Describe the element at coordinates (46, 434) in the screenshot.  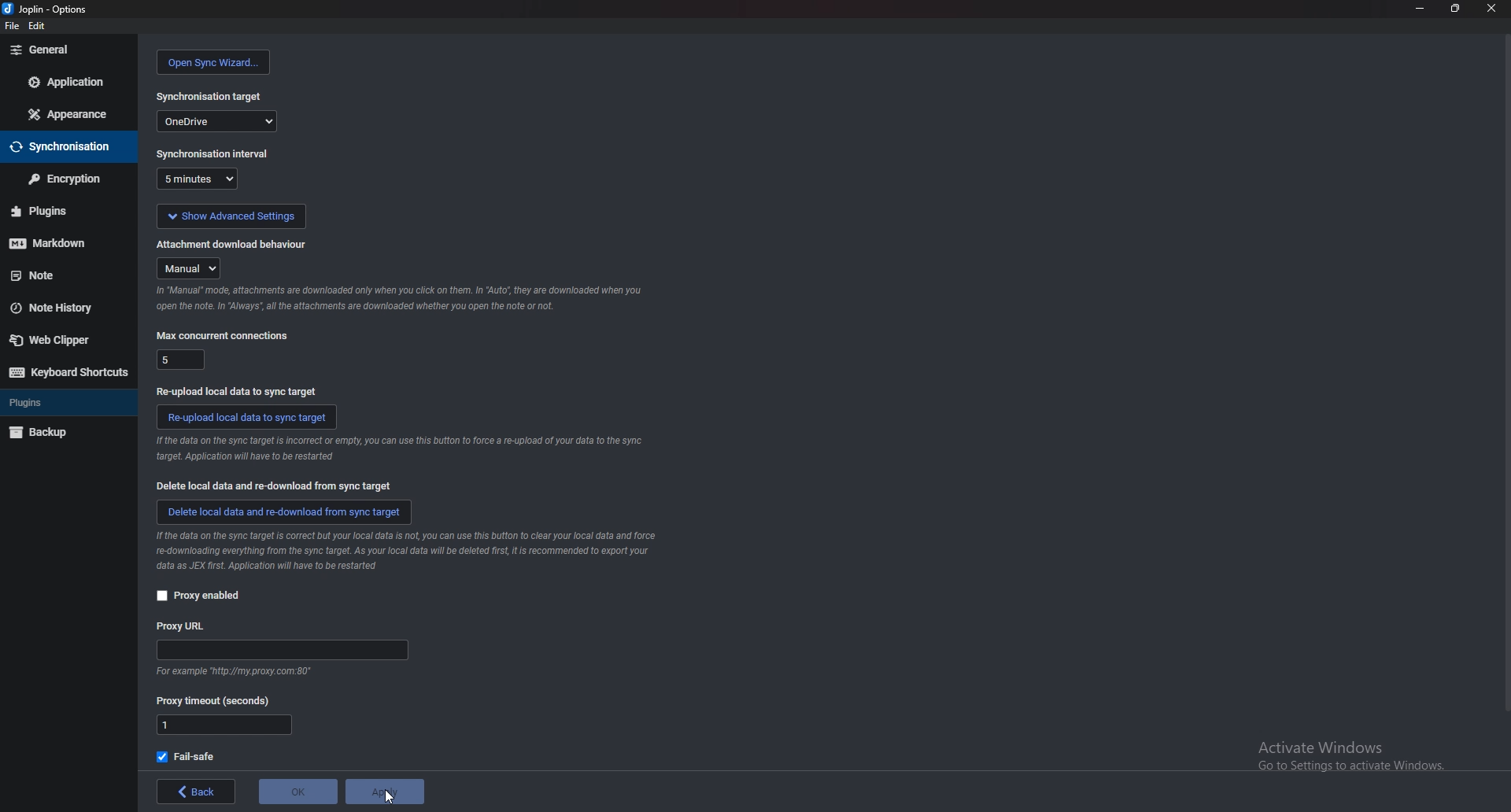
I see `backup` at that location.